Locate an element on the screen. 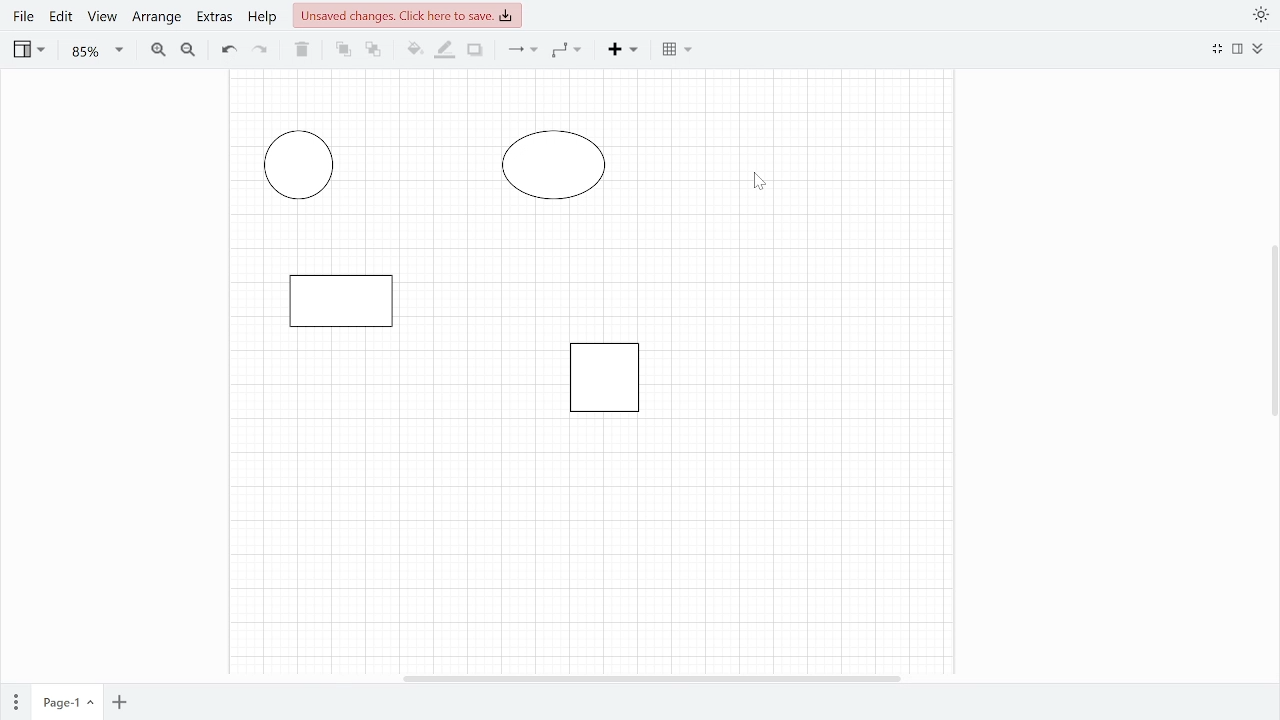  Zoom out is located at coordinates (187, 52).